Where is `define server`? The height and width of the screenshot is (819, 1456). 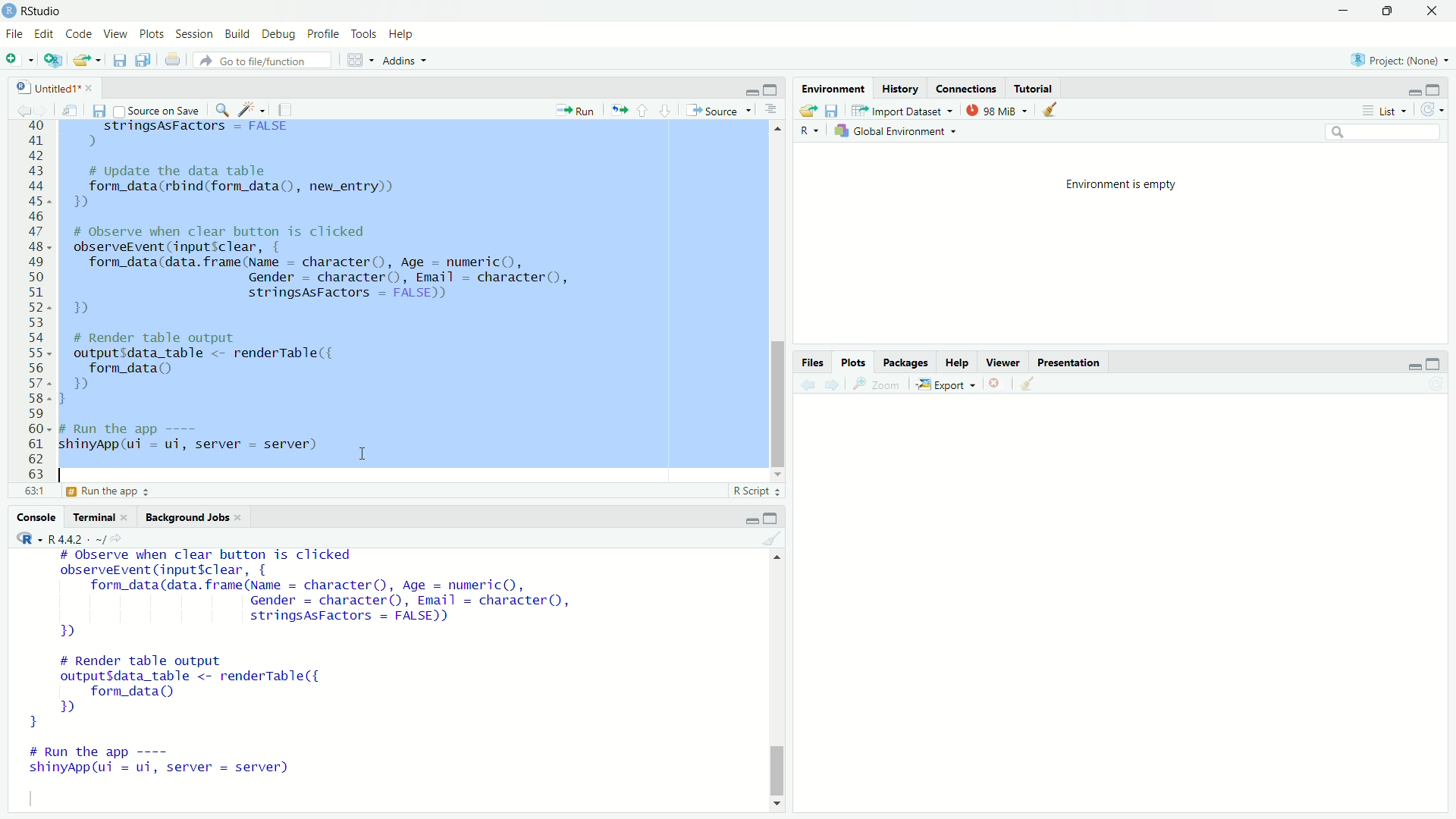
define server is located at coordinates (109, 494).